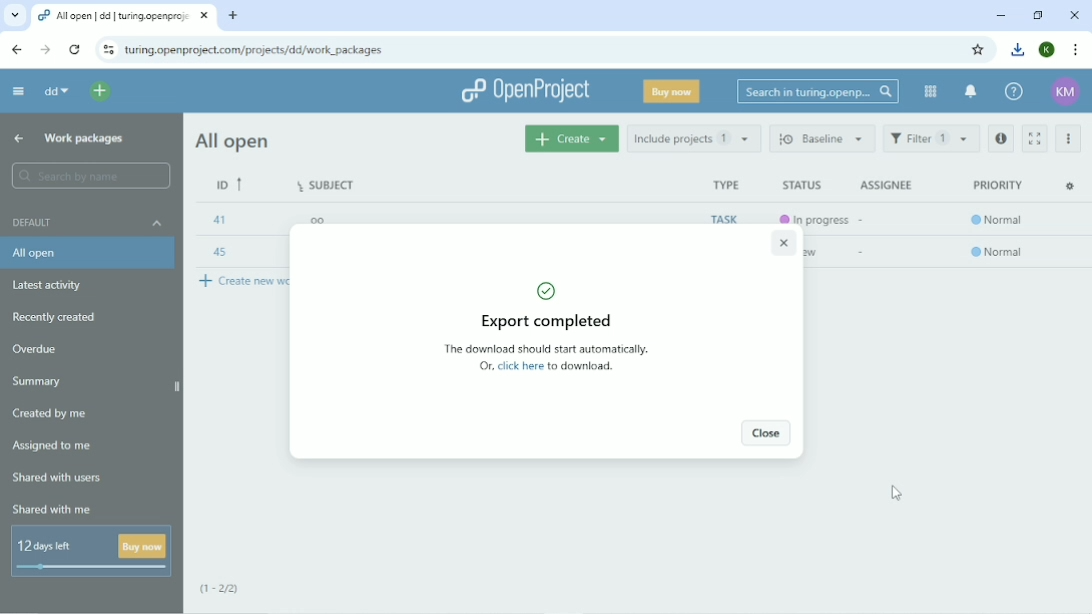 This screenshot has width=1092, height=614. Describe the element at coordinates (545, 349) in the screenshot. I see `The download should start automatically.` at that location.